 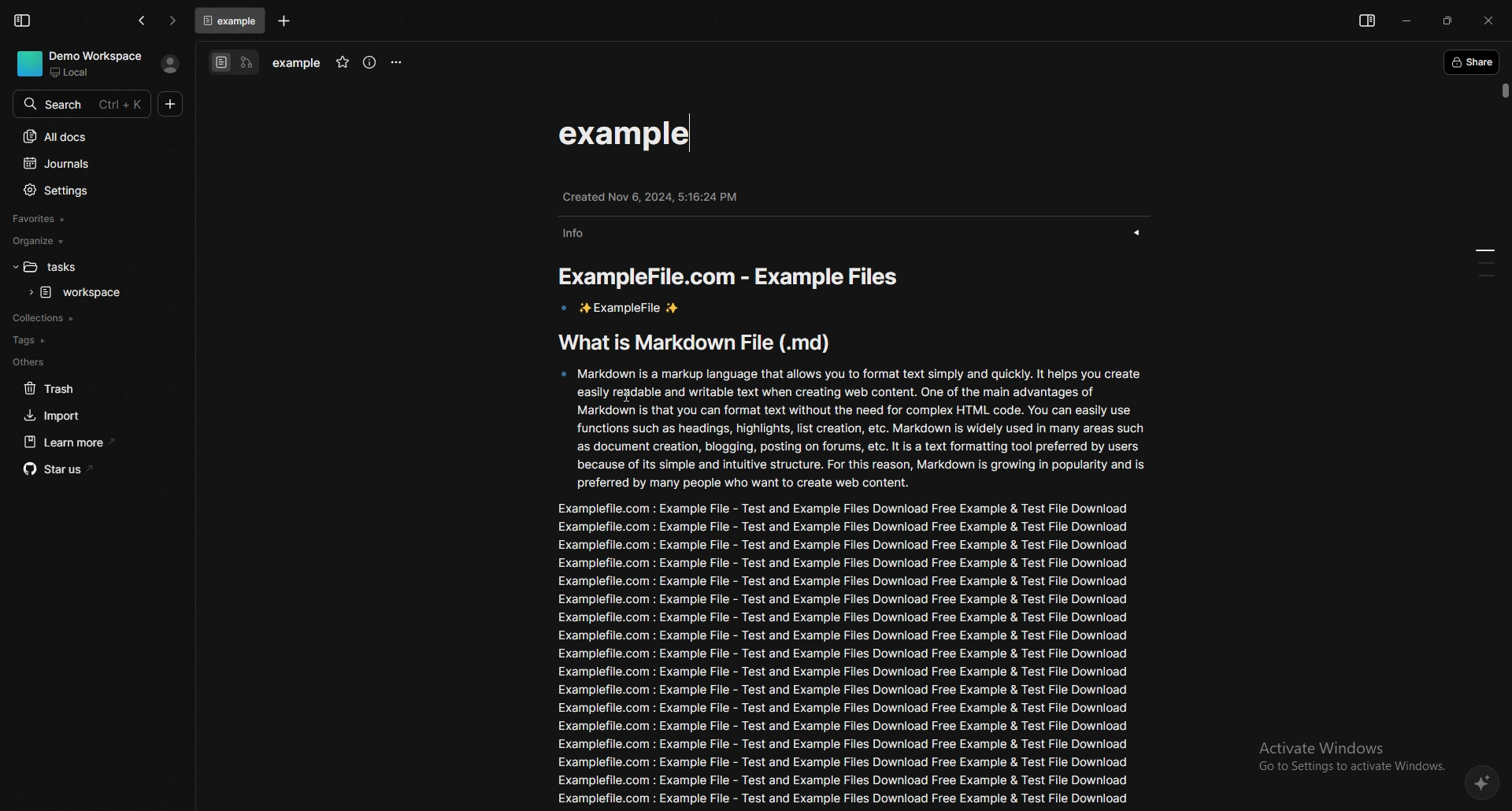 I want to click on favourites, so click(x=87, y=220).